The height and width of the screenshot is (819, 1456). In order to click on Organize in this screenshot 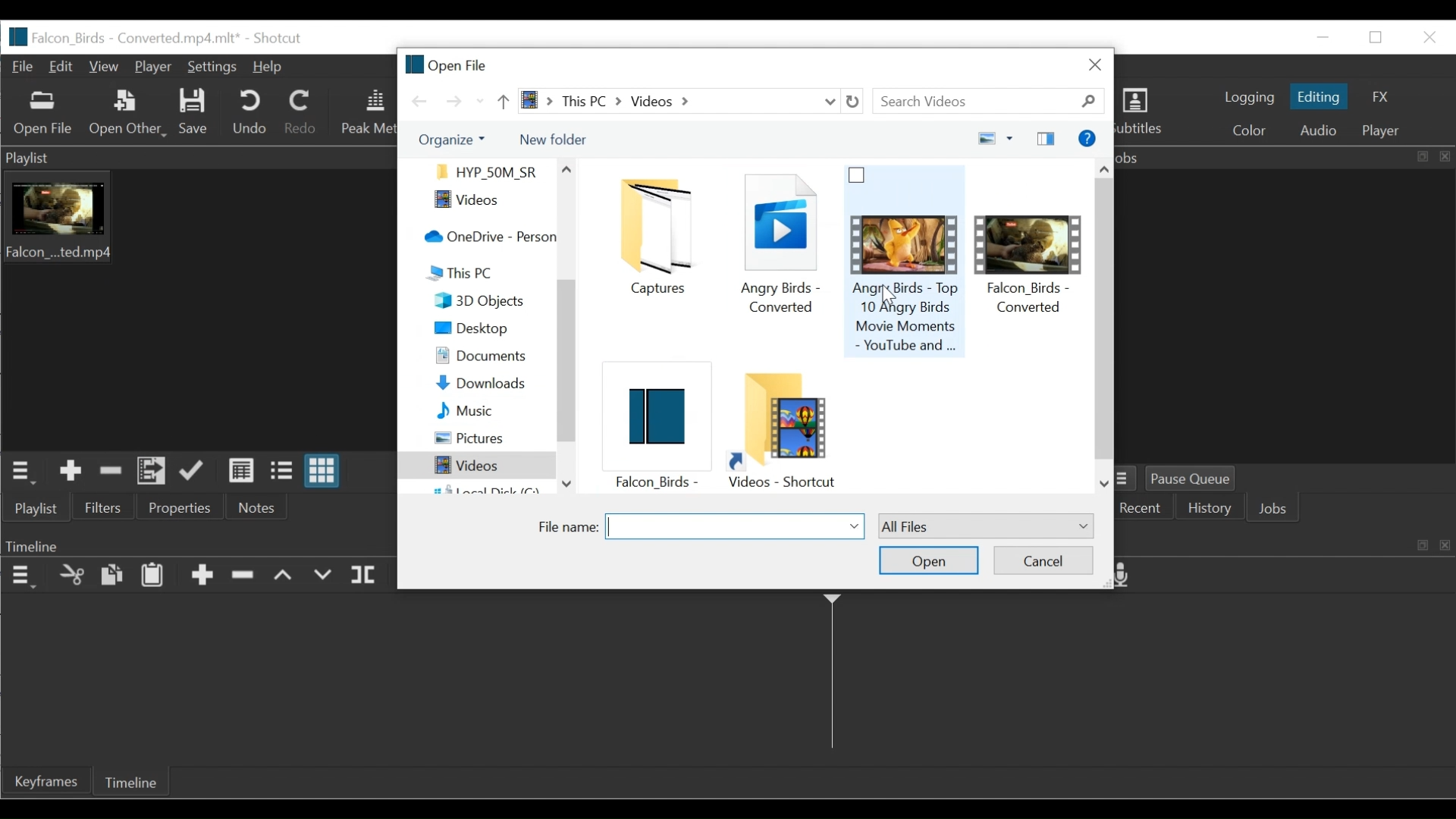, I will do `click(450, 140)`.